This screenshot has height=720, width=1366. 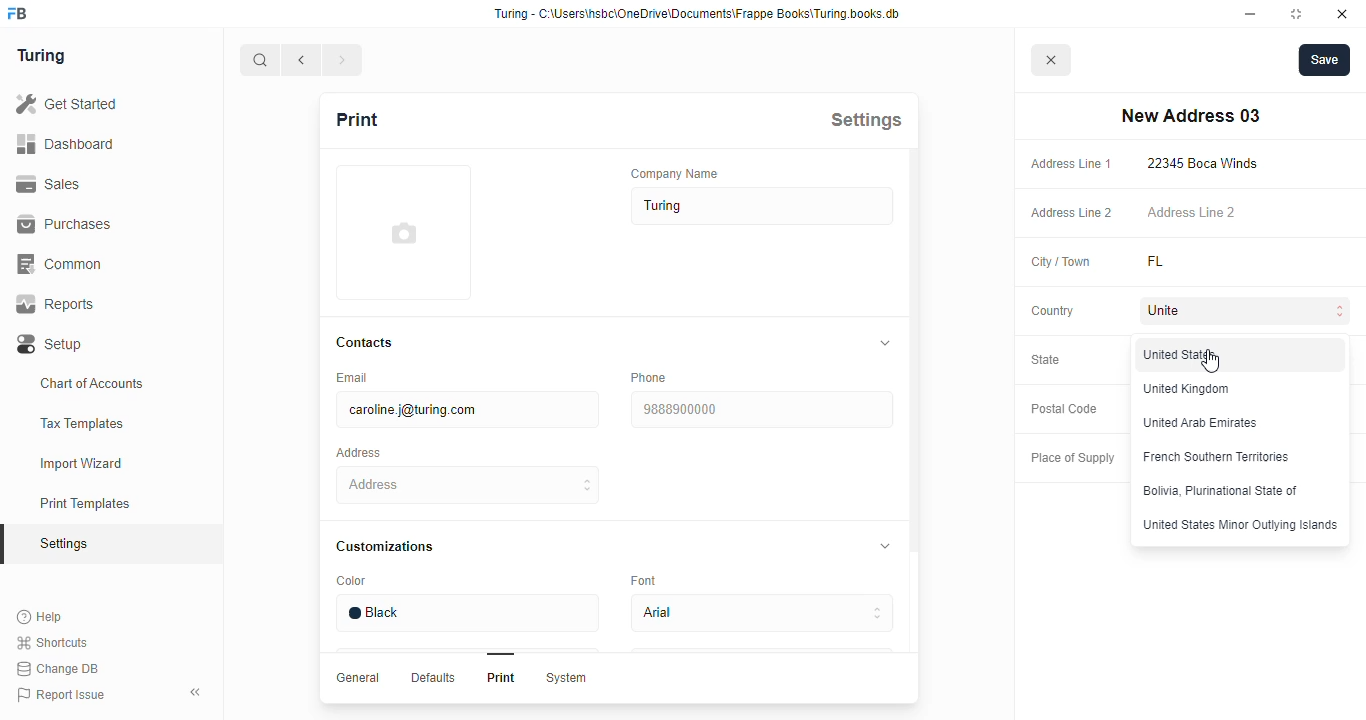 What do you see at coordinates (1221, 491) in the screenshot?
I see `Bolivia, Plurinational State of` at bounding box center [1221, 491].